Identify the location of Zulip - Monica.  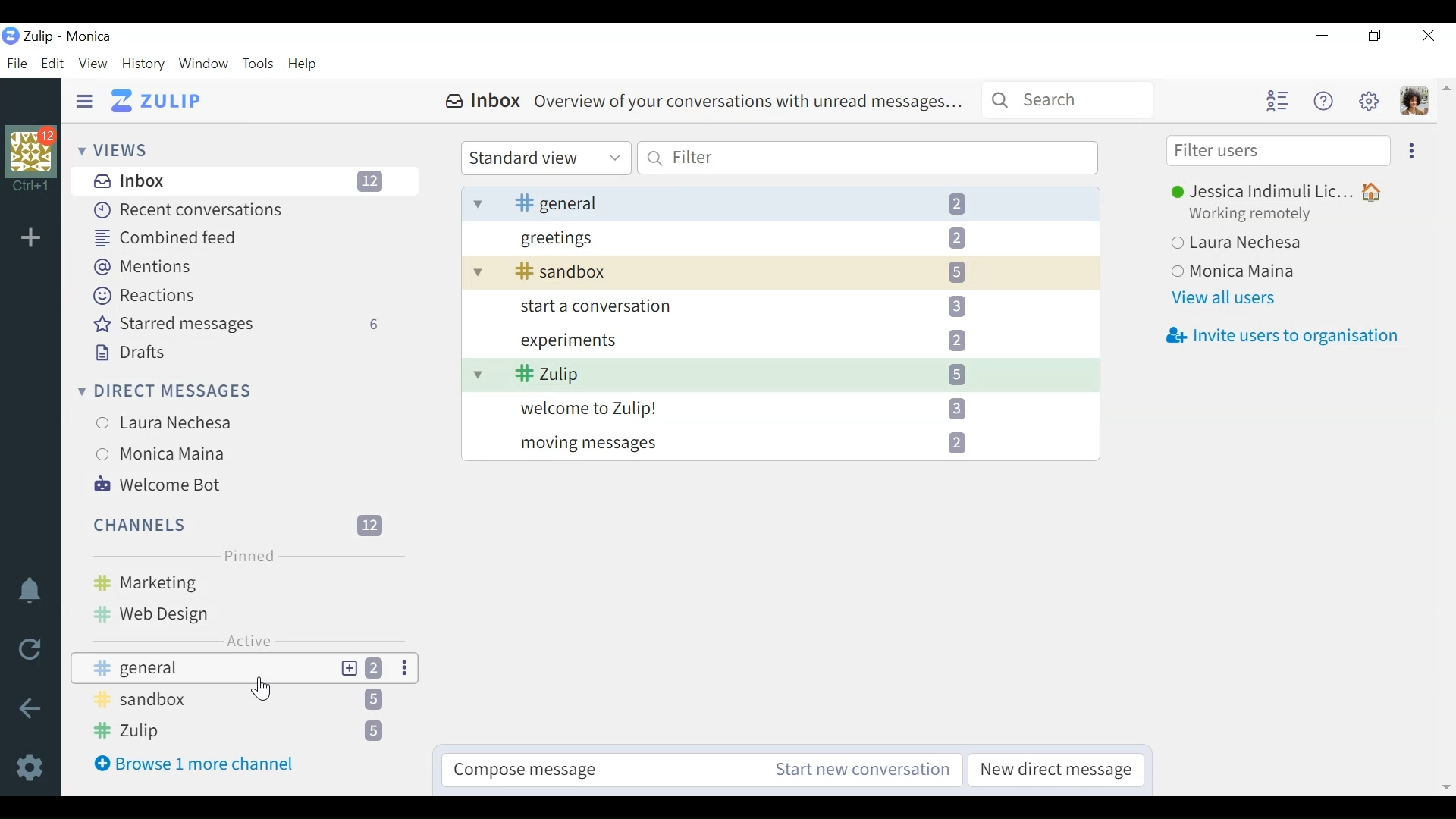
(69, 36).